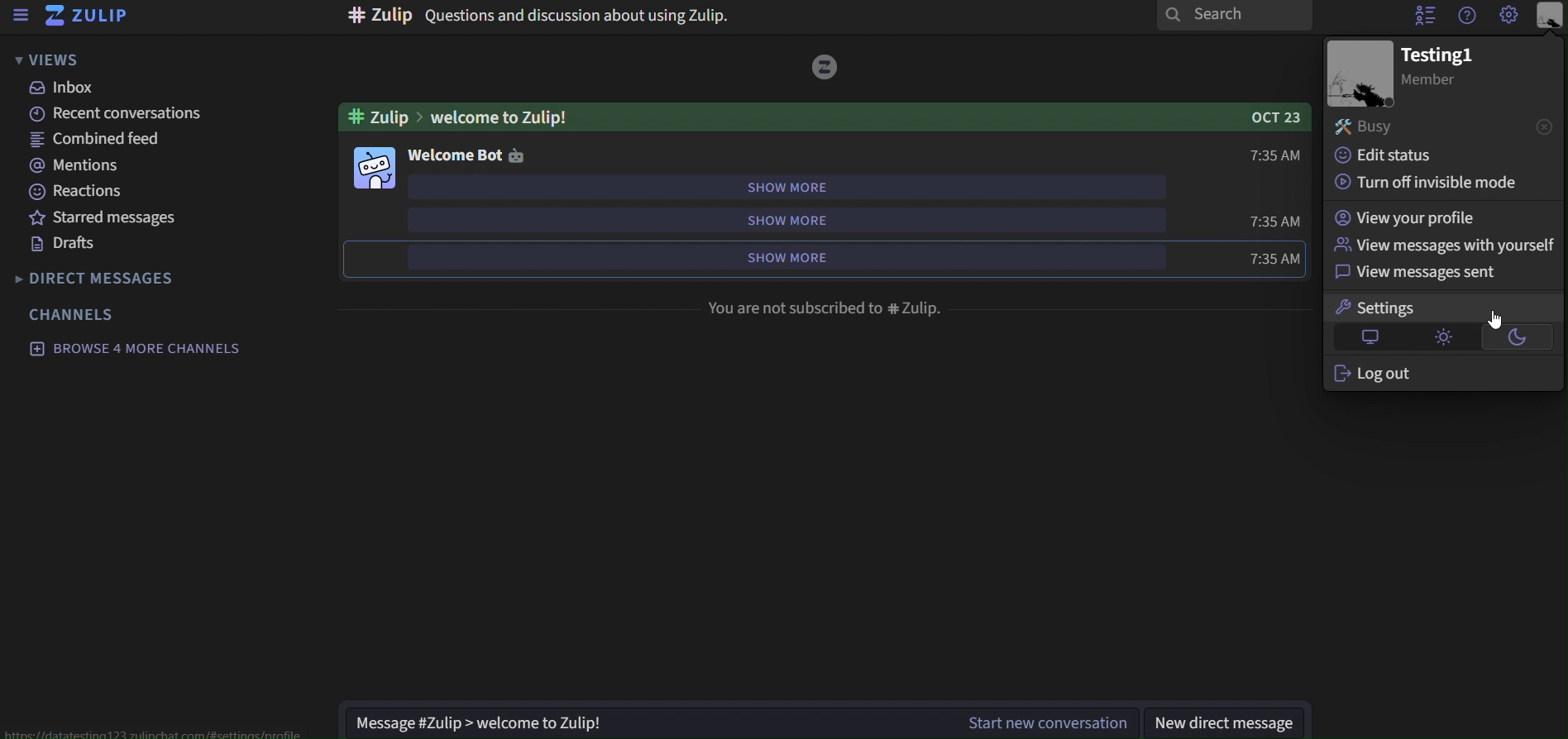  I want to click on sidebar, so click(22, 16).